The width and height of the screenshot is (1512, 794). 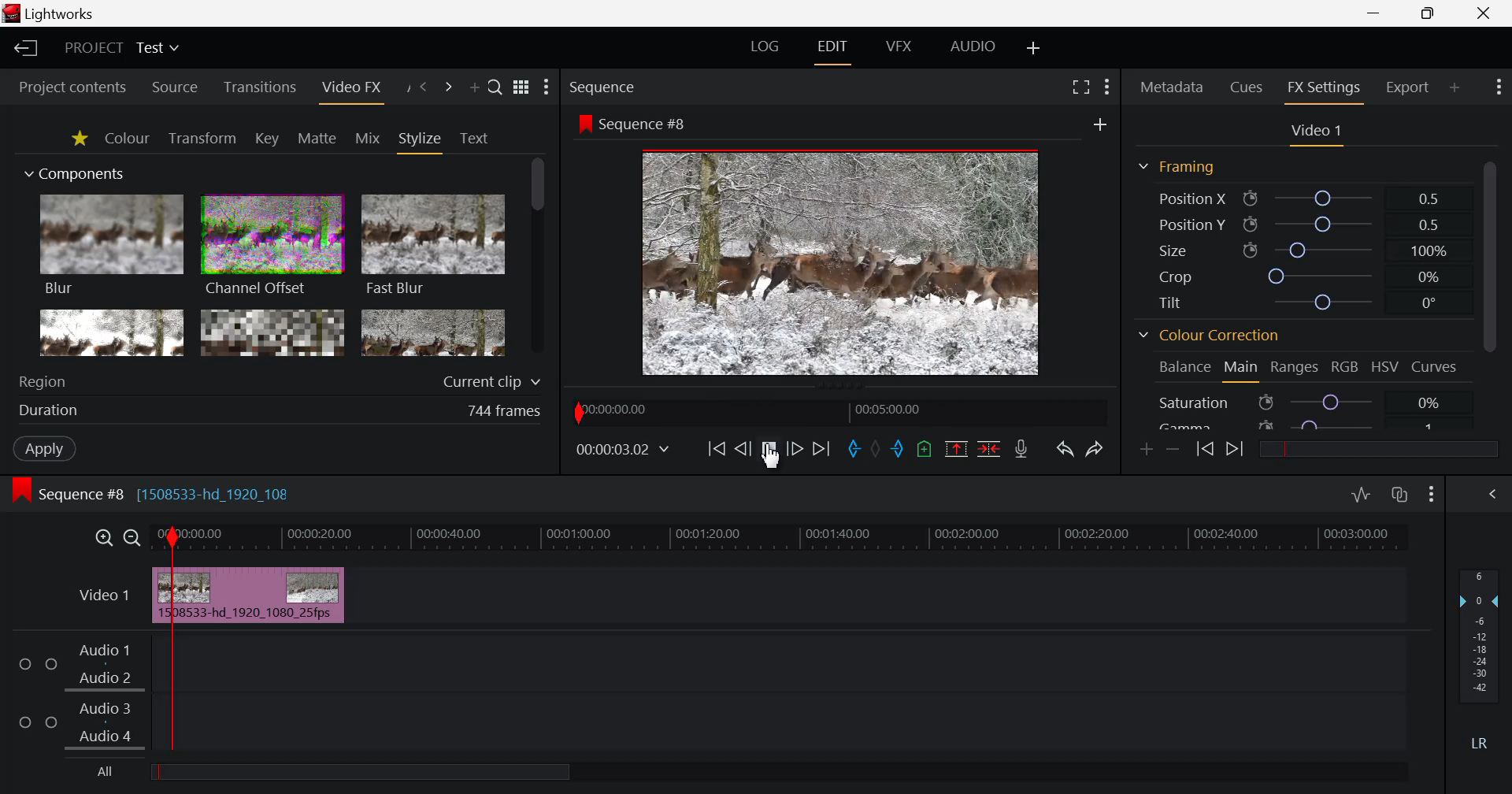 I want to click on Timeline Zoom Out, so click(x=133, y=538).